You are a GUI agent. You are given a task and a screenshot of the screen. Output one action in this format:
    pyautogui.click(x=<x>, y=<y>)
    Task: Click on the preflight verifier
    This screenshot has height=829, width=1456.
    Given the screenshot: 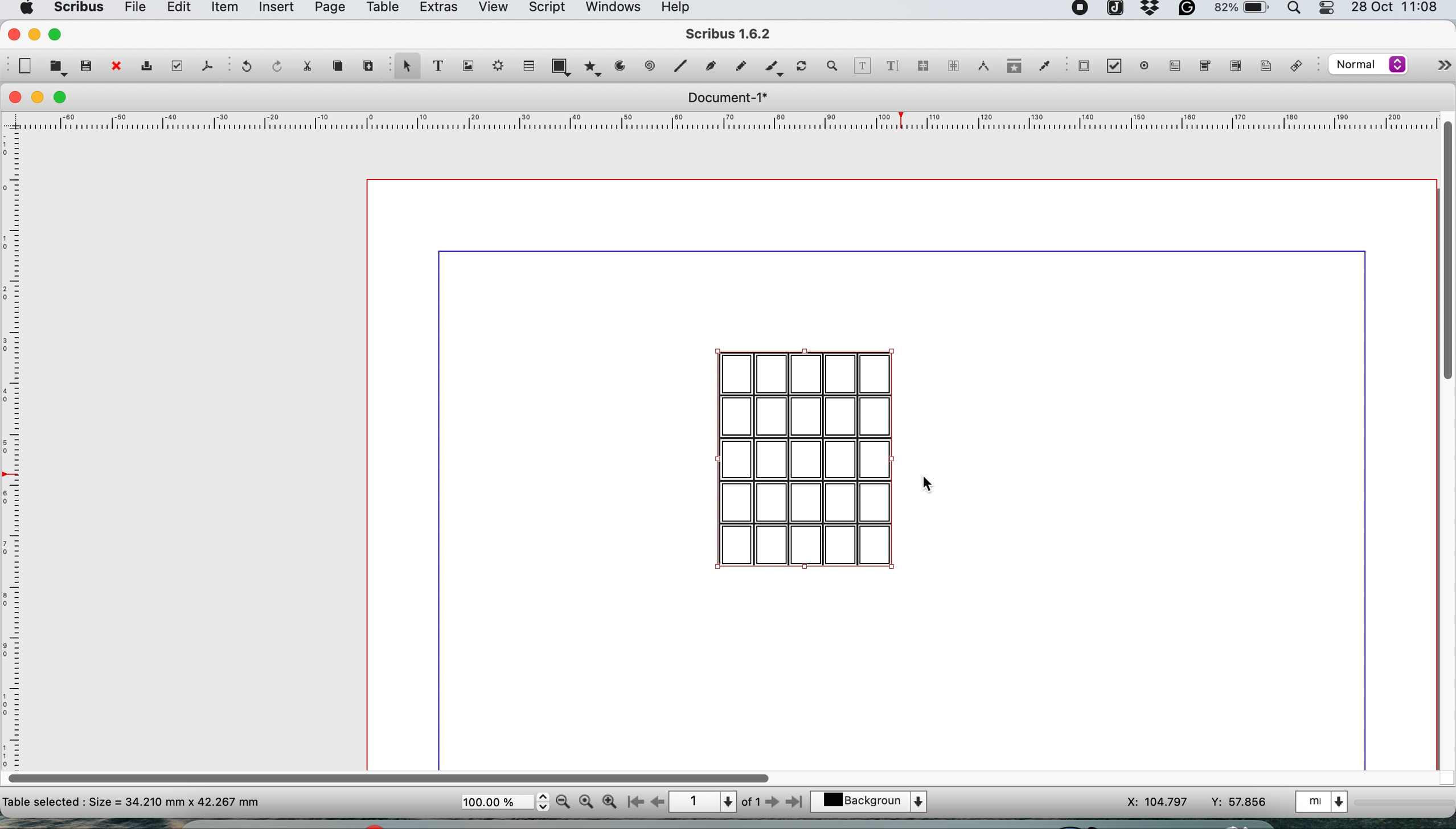 What is the action you would take?
    pyautogui.click(x=174, y=65)
    